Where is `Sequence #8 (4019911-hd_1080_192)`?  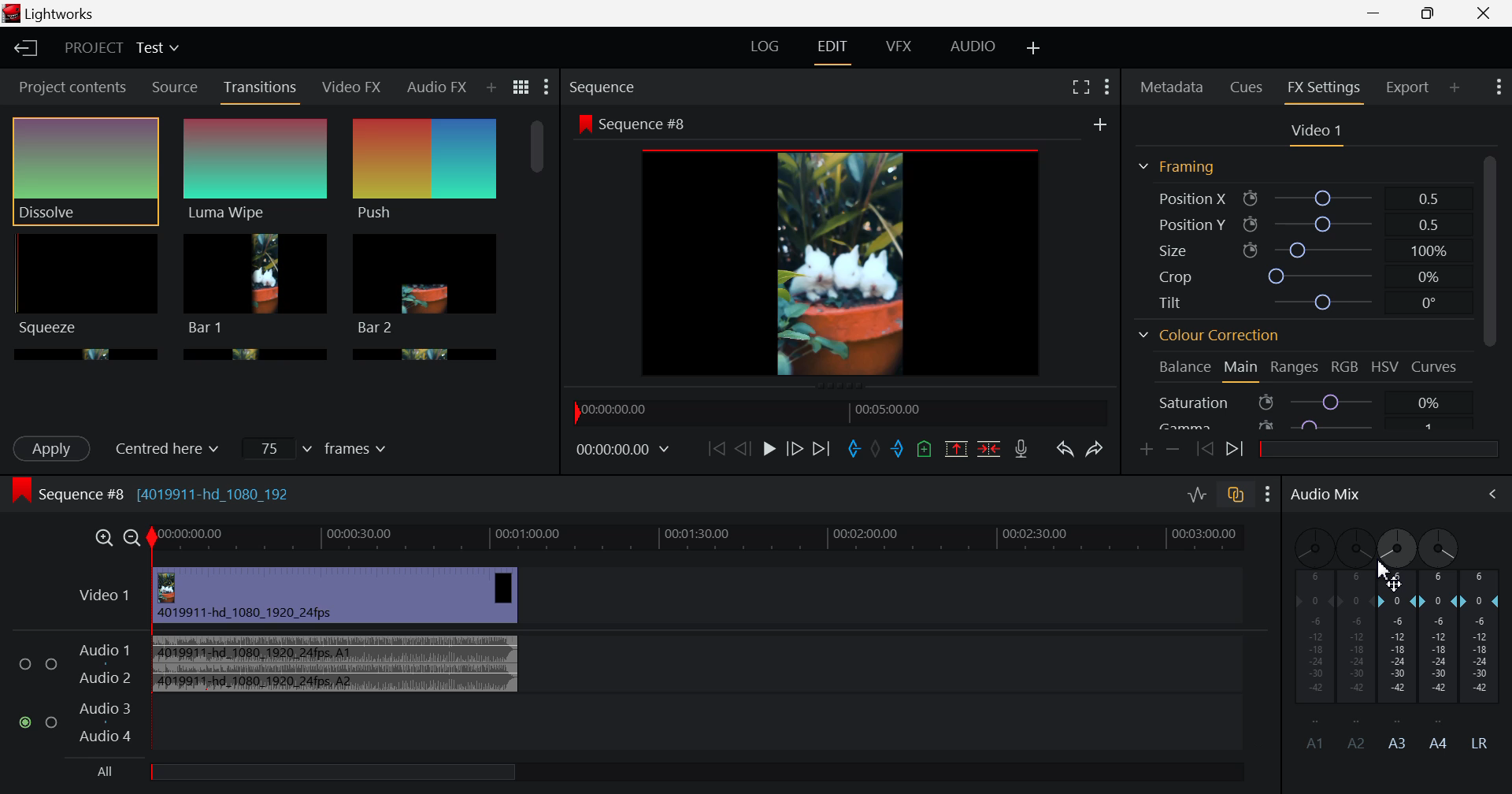 Sequence #8 (4019911-hd_1080_192) is located at coordinates (156, 493).